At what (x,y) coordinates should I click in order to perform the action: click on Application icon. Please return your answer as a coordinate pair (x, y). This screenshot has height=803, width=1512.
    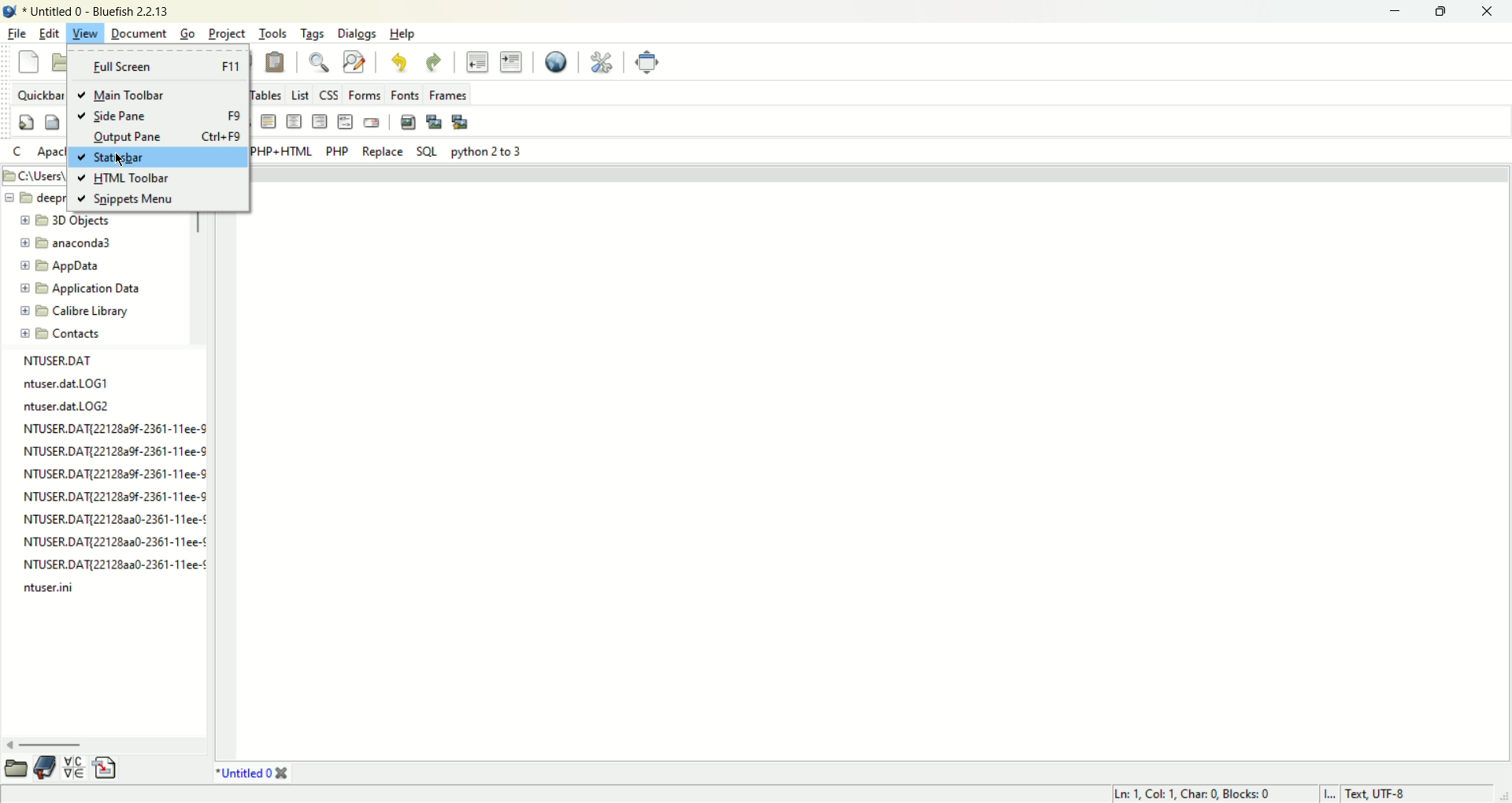
    Looking at the image, I should click on (9, 9).